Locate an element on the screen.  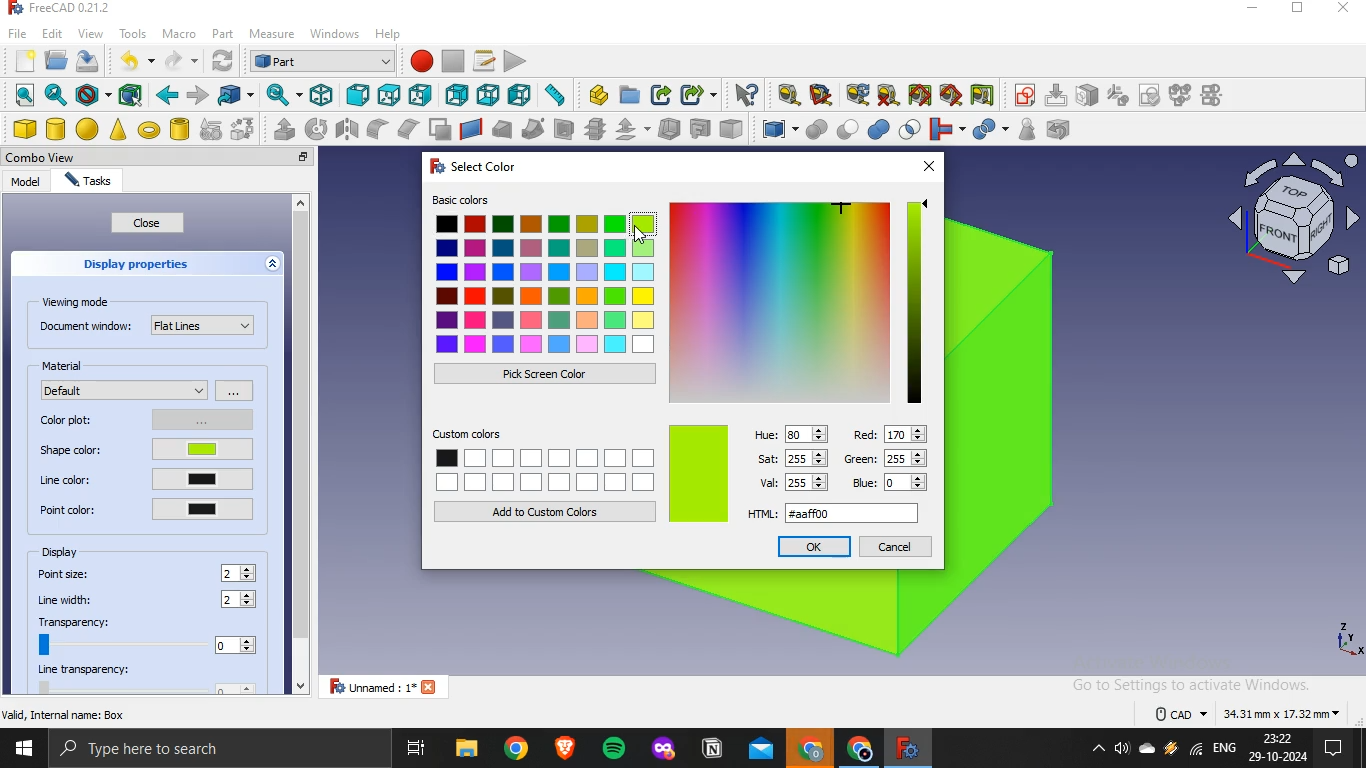
offset is located at coordinates (631, 129).